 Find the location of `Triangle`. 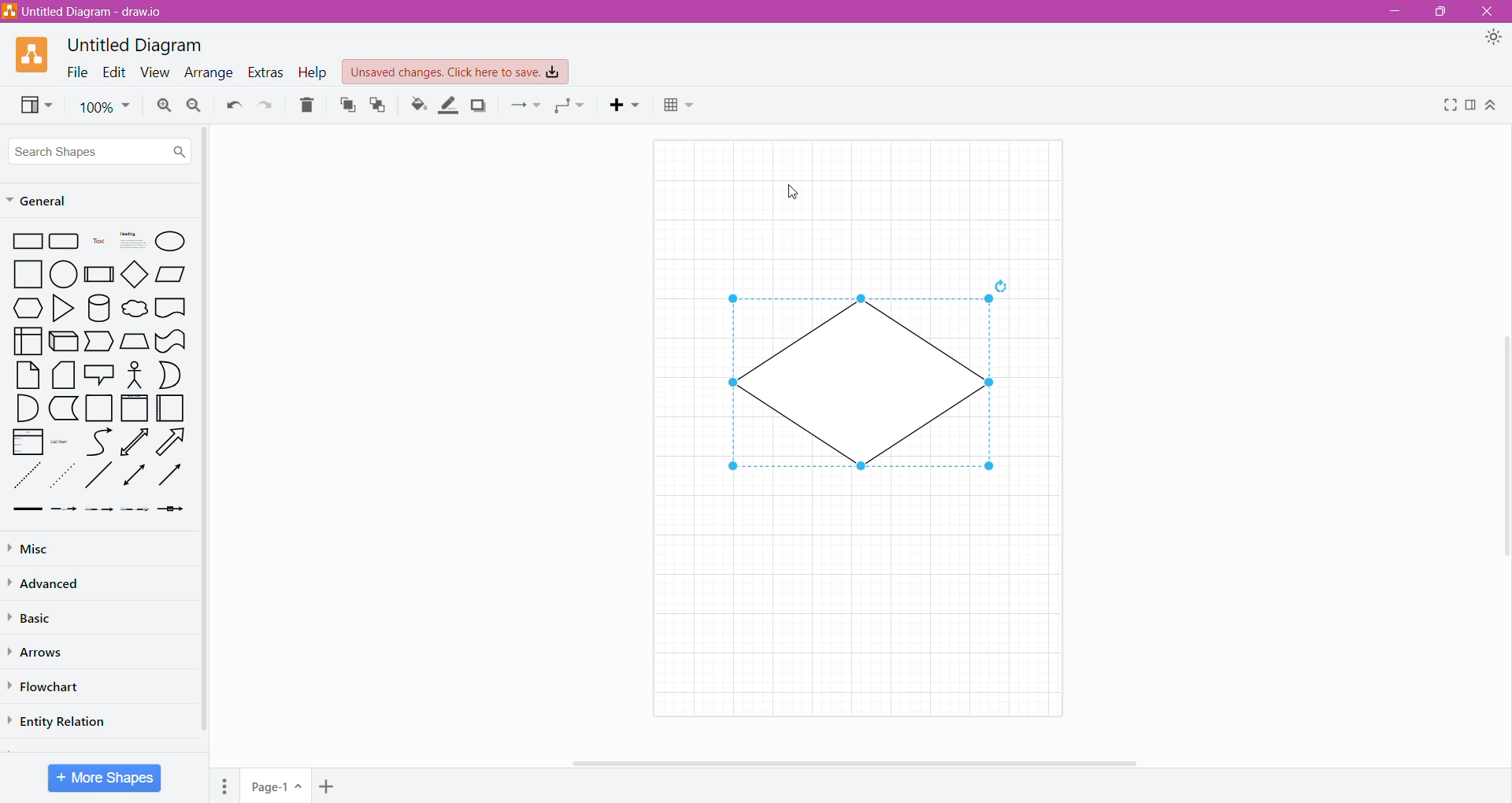

Triangle is located at coordinates (61, 310).